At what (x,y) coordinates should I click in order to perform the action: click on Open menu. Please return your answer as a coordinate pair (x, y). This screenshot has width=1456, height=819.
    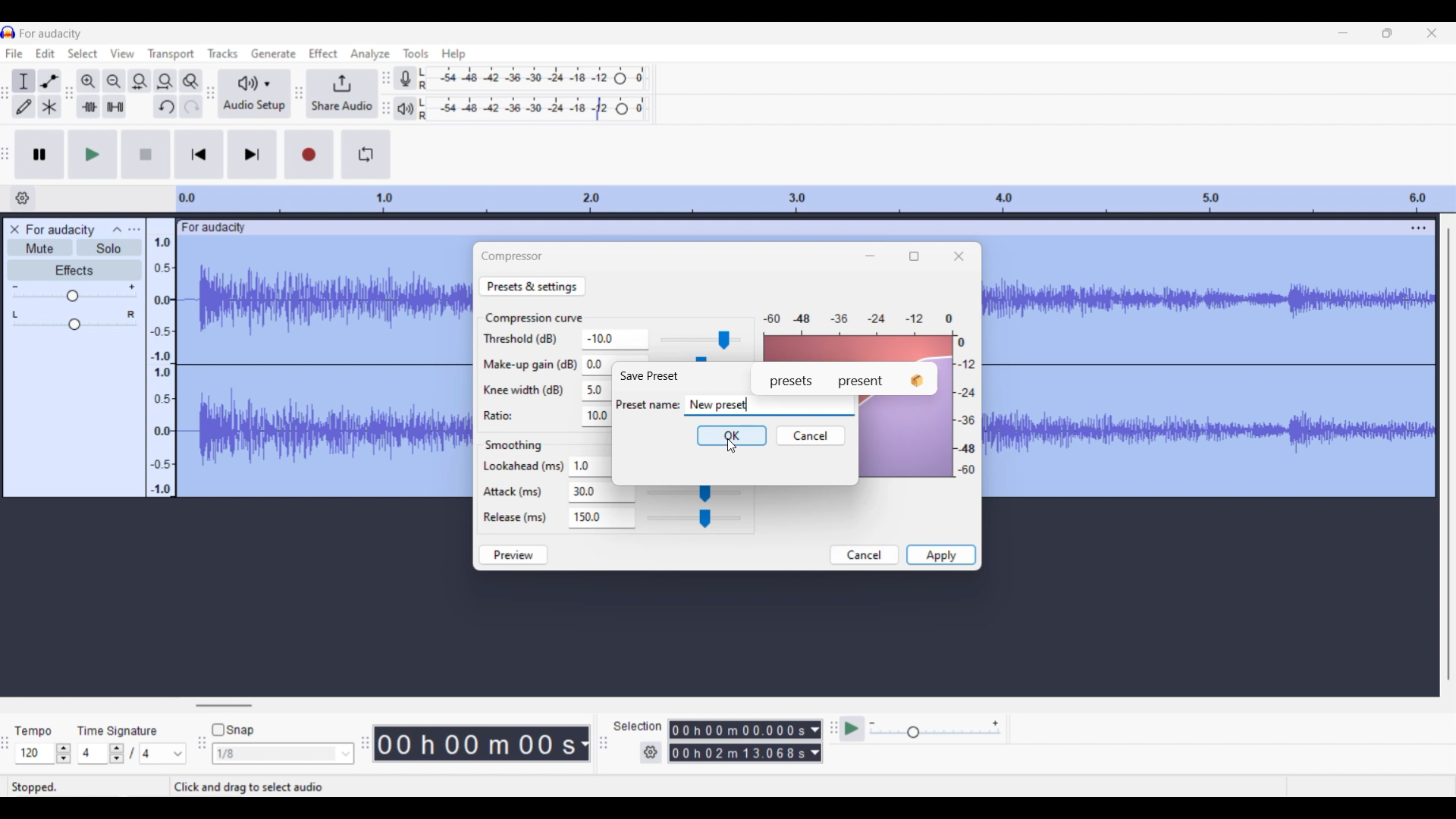
    Looking at the image, I should click on (134, 230).